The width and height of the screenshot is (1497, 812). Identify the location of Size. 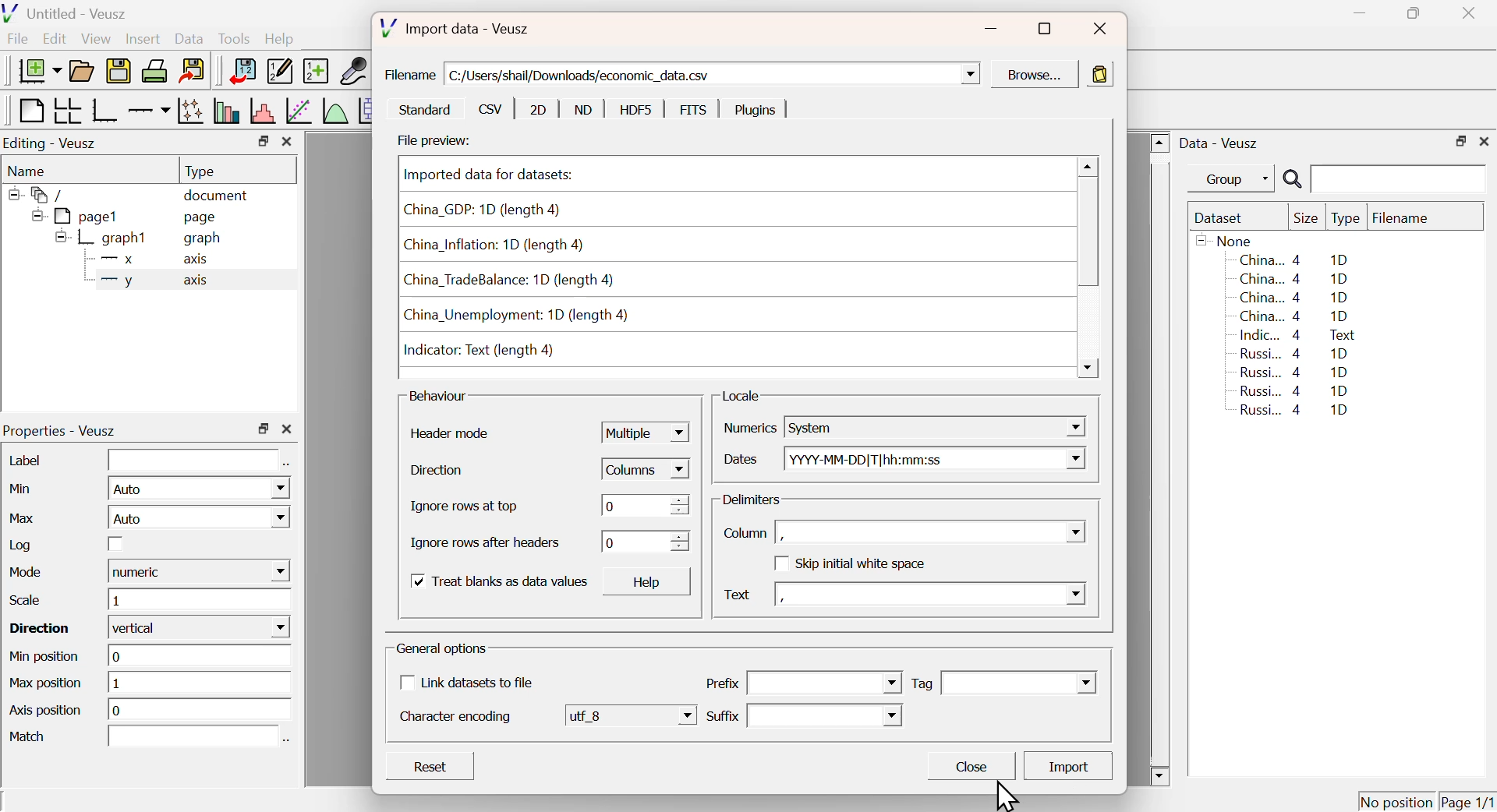
(1306, 219).